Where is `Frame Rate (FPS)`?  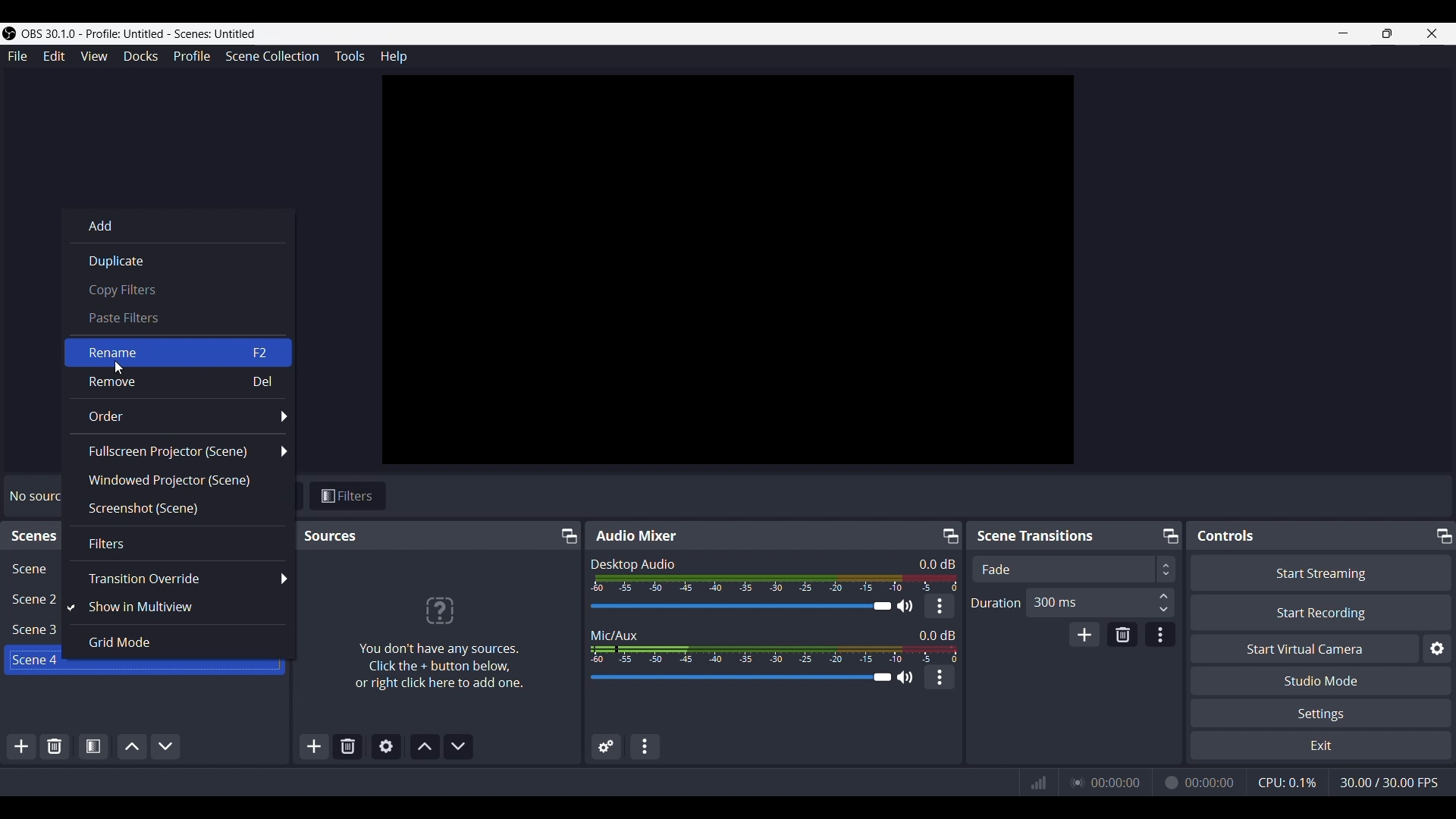 Frame Rate (FPS) is located at coordinates (1389, 783).